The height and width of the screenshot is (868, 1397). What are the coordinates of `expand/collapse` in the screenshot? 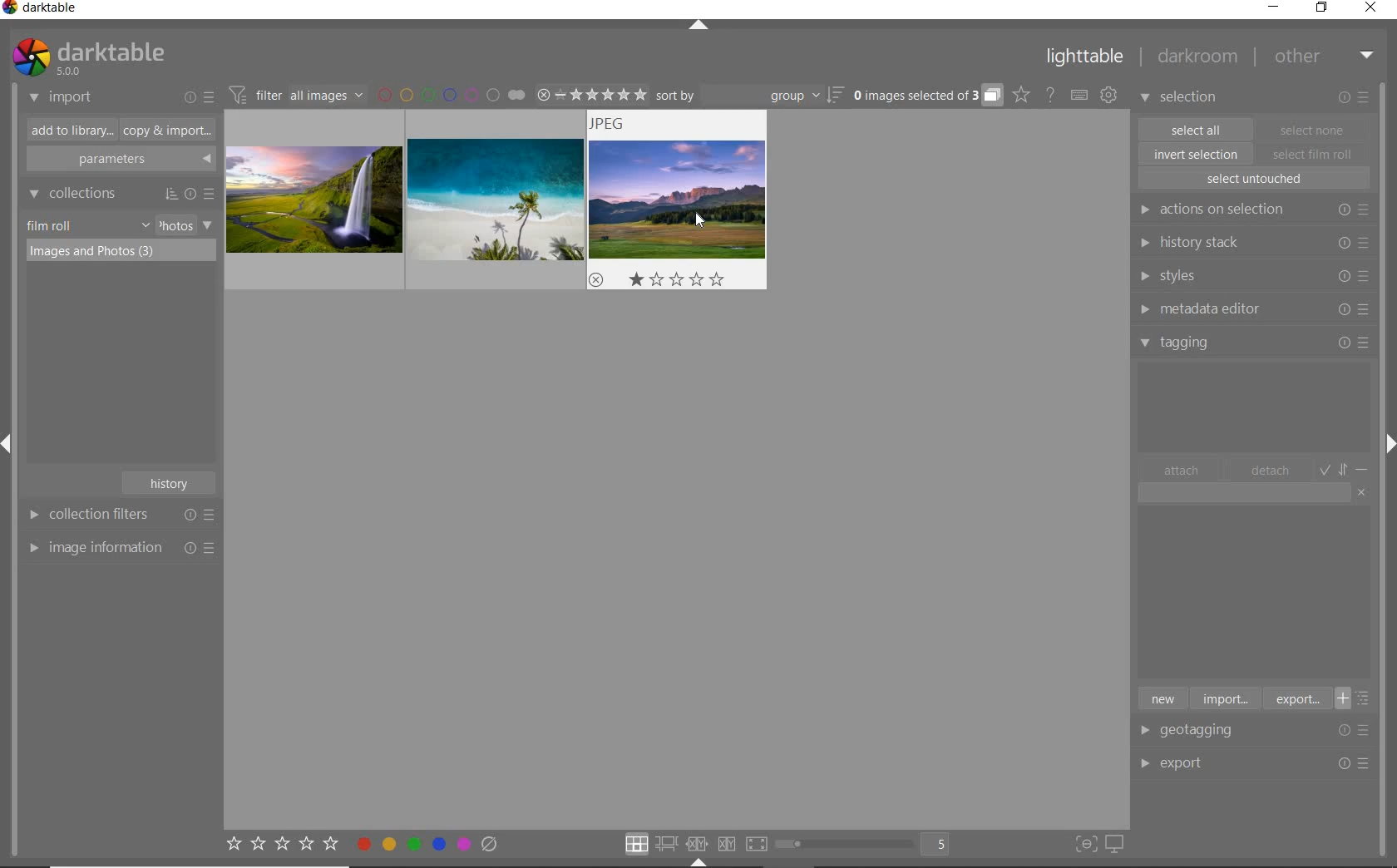 It's located at (698, 27).